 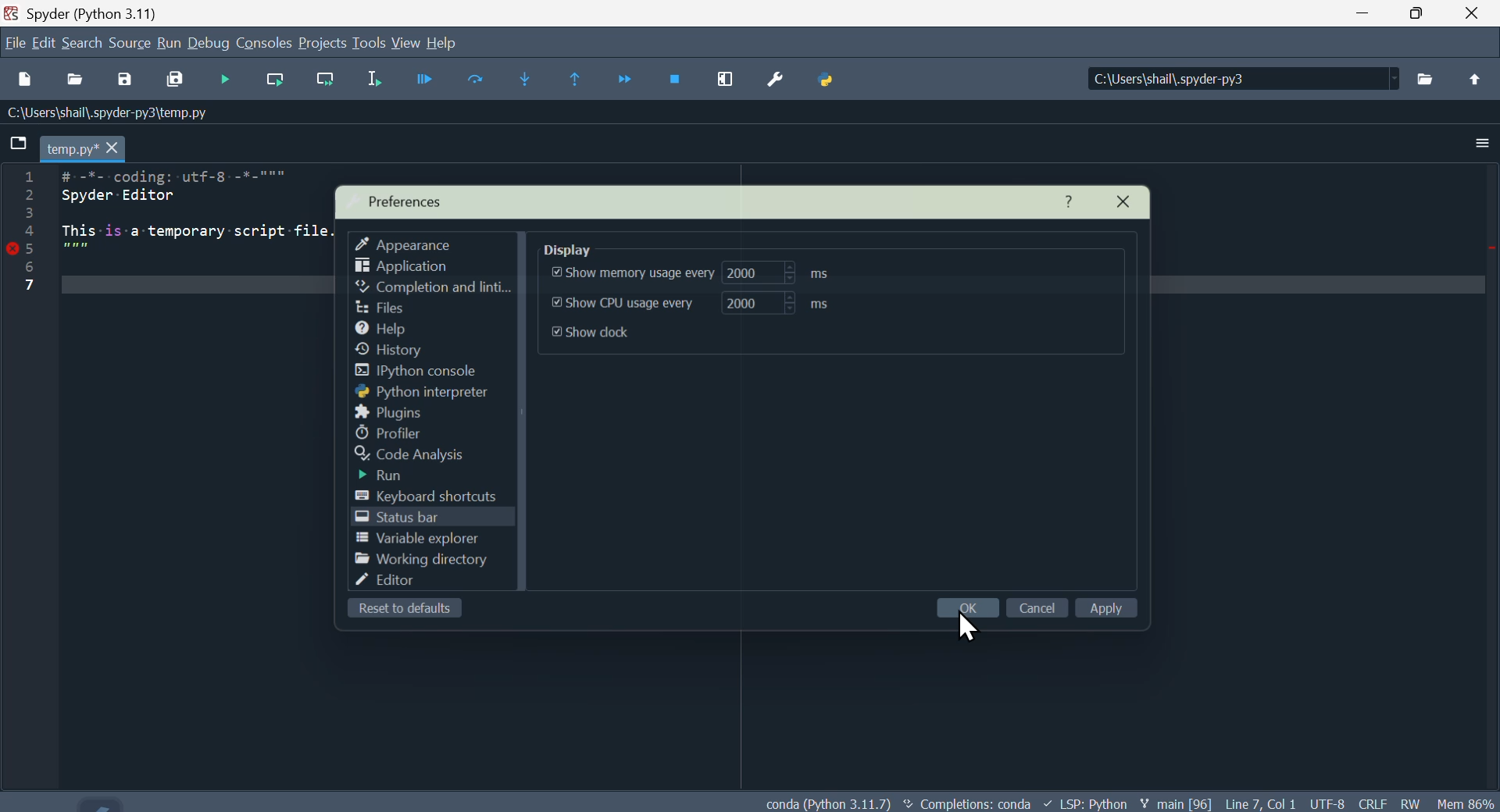 What do you see at coordinates (966, 607) in the screenshot?
I see `Okay` at bounding box center [966, 607].